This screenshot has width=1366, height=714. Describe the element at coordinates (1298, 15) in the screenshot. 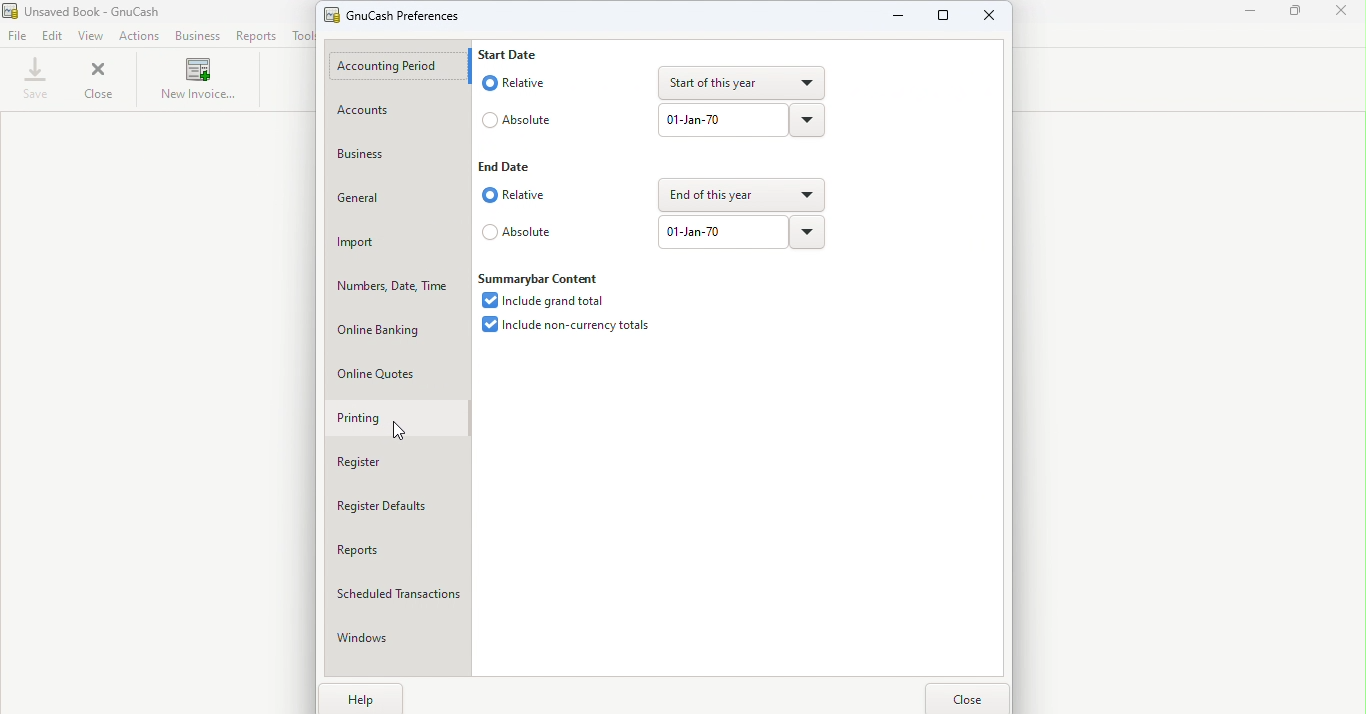

I see `Maximize` at that location.